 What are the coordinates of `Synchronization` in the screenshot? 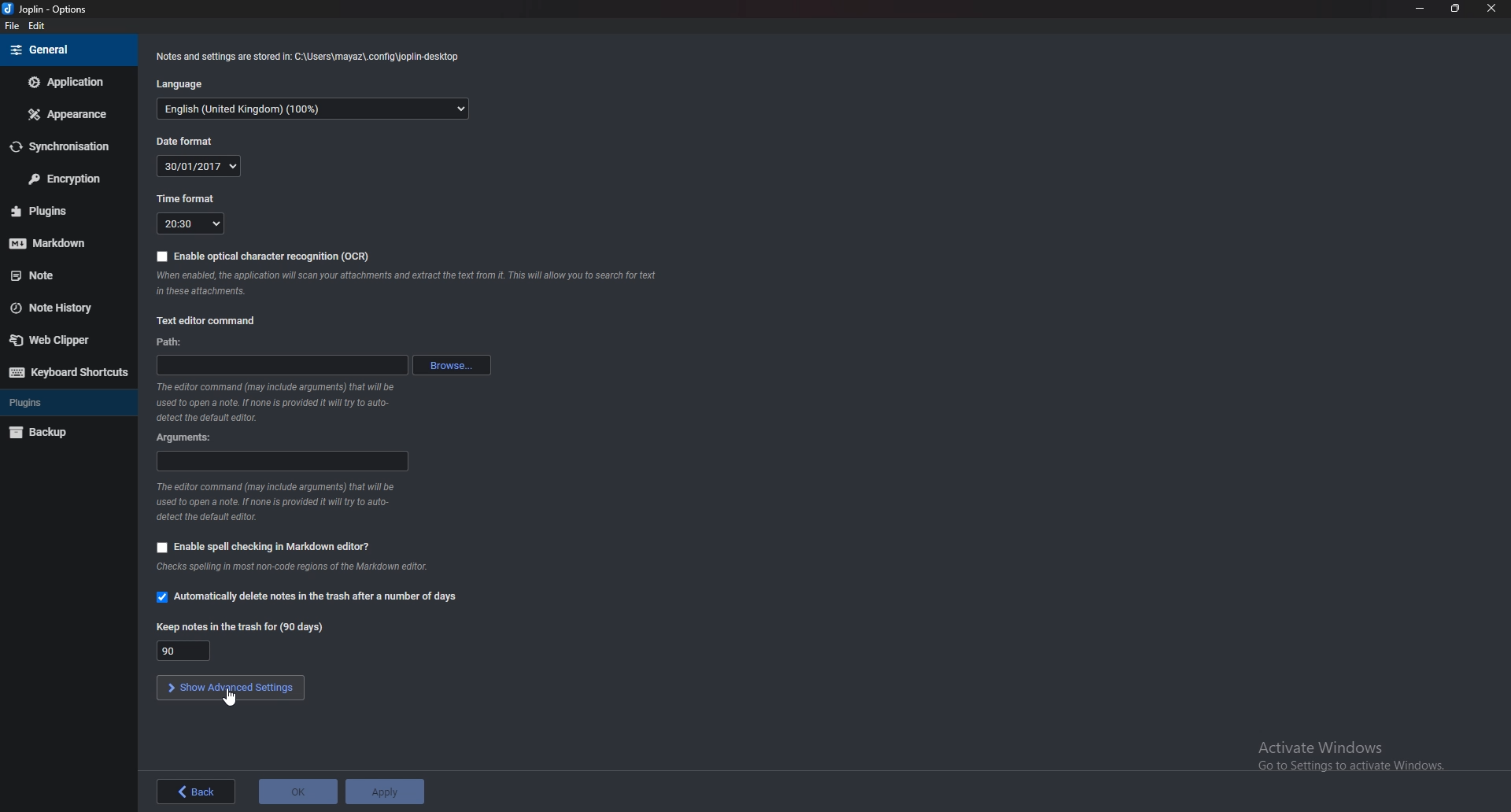 It's located at (65, 146).